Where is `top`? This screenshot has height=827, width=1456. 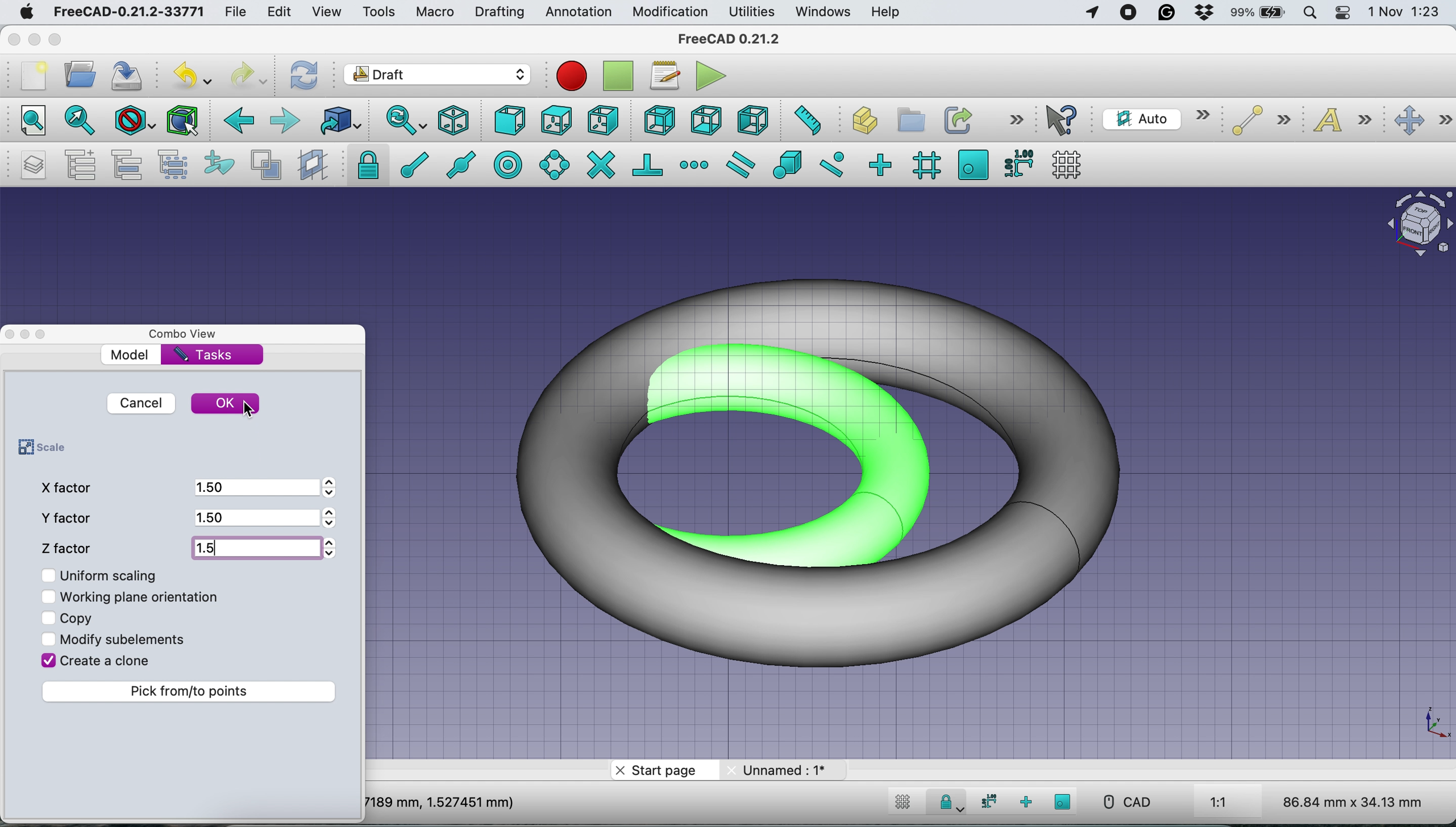
top is located at coordinates (555, 119).